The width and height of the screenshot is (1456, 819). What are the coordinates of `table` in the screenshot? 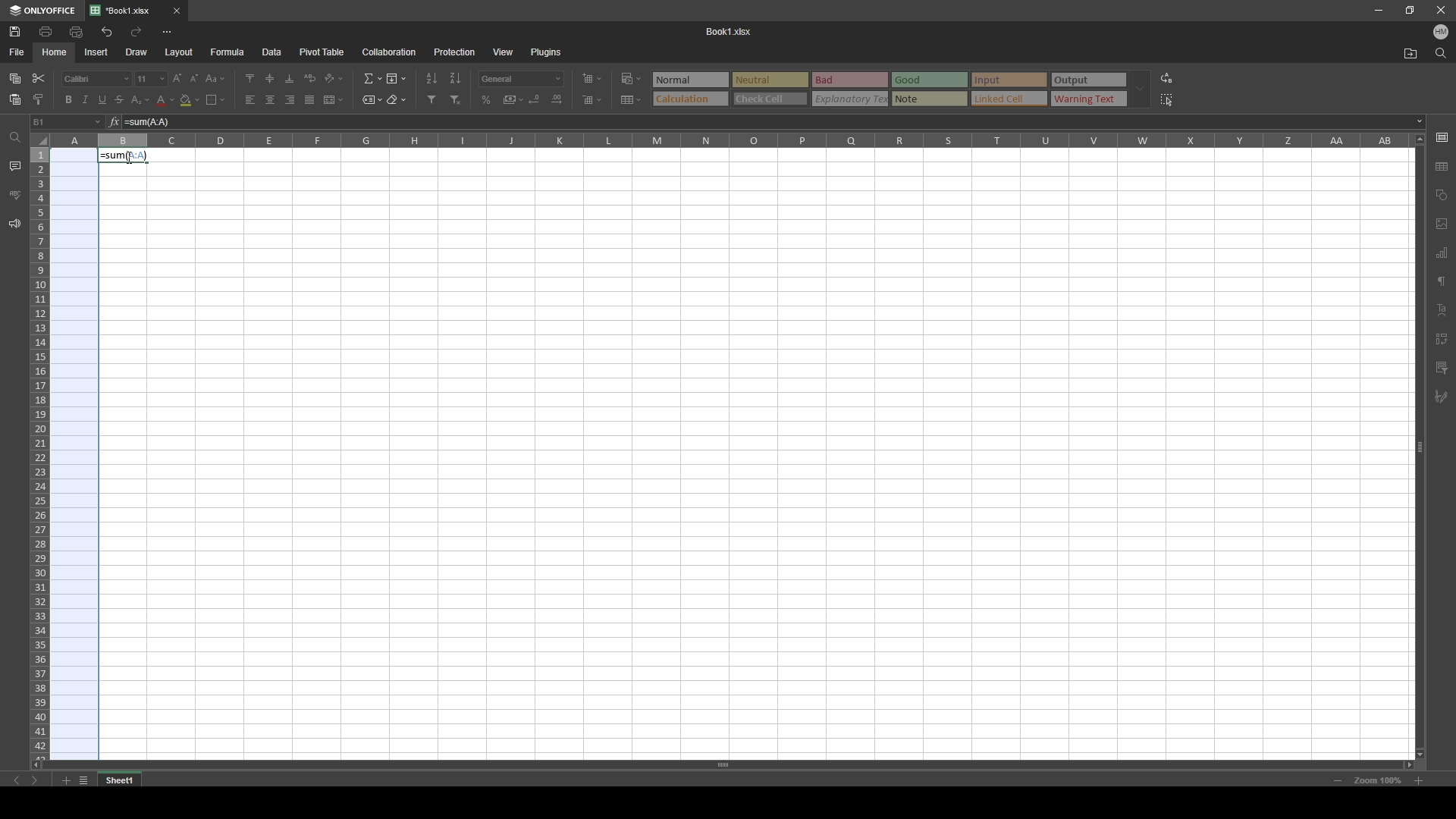 It's located at (632, 99).